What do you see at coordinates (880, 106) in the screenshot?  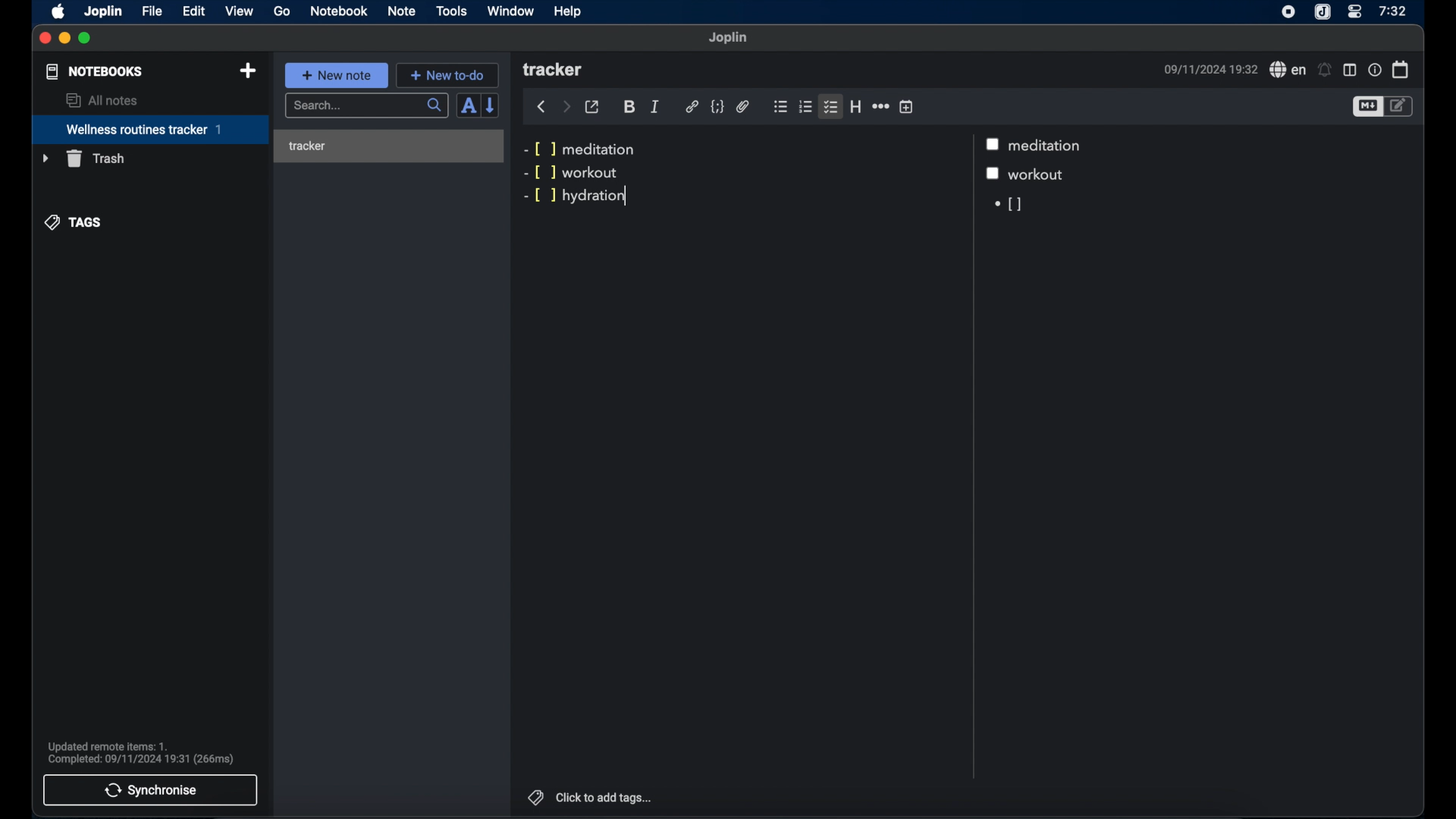 I see `horizontal rule` at bounding box center [880, 106].